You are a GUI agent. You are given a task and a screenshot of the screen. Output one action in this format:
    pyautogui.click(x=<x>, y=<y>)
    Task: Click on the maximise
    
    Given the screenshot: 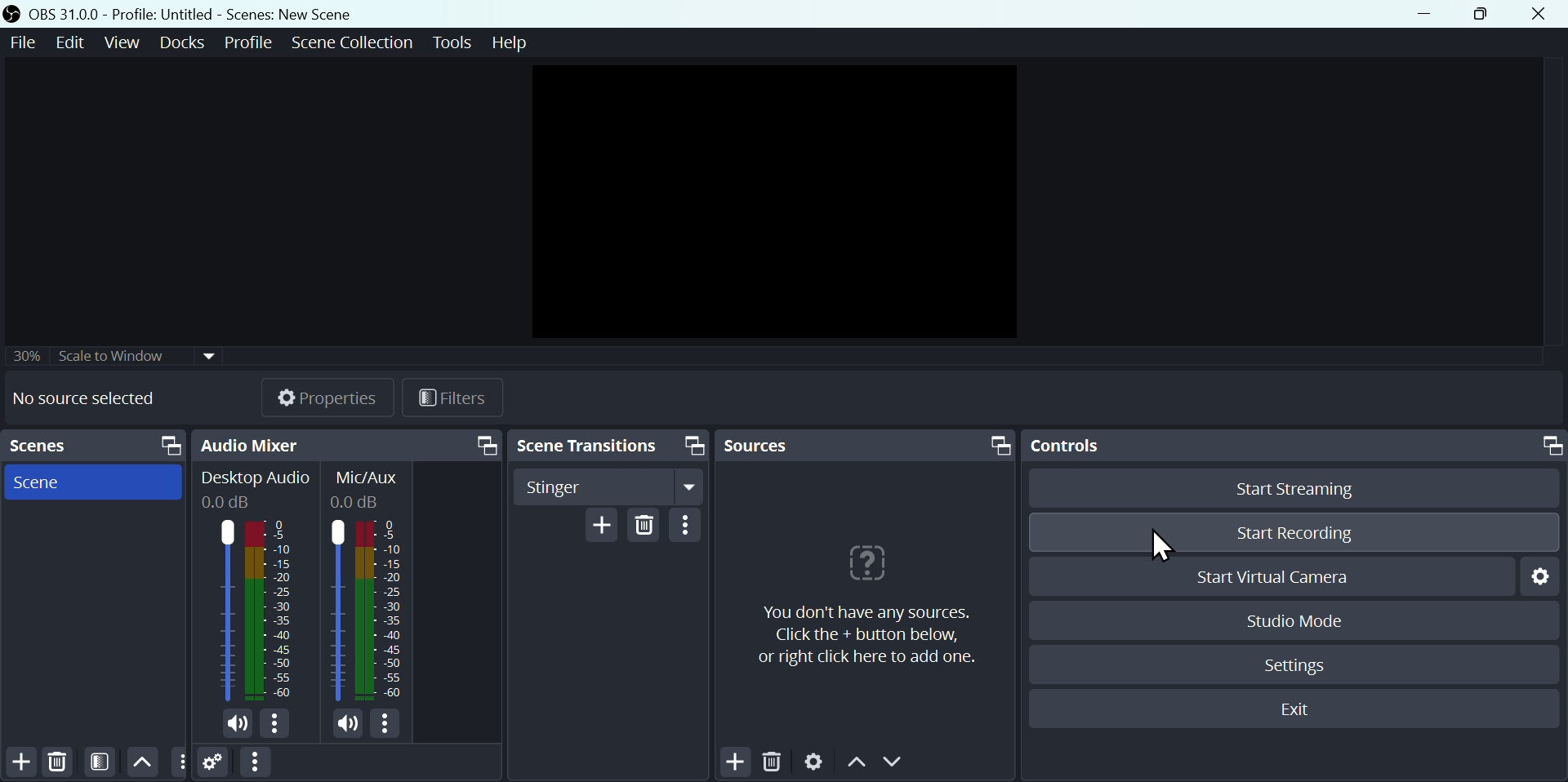 What is the action you would take?
    pyautogui.click(x=1480, y=14)
    